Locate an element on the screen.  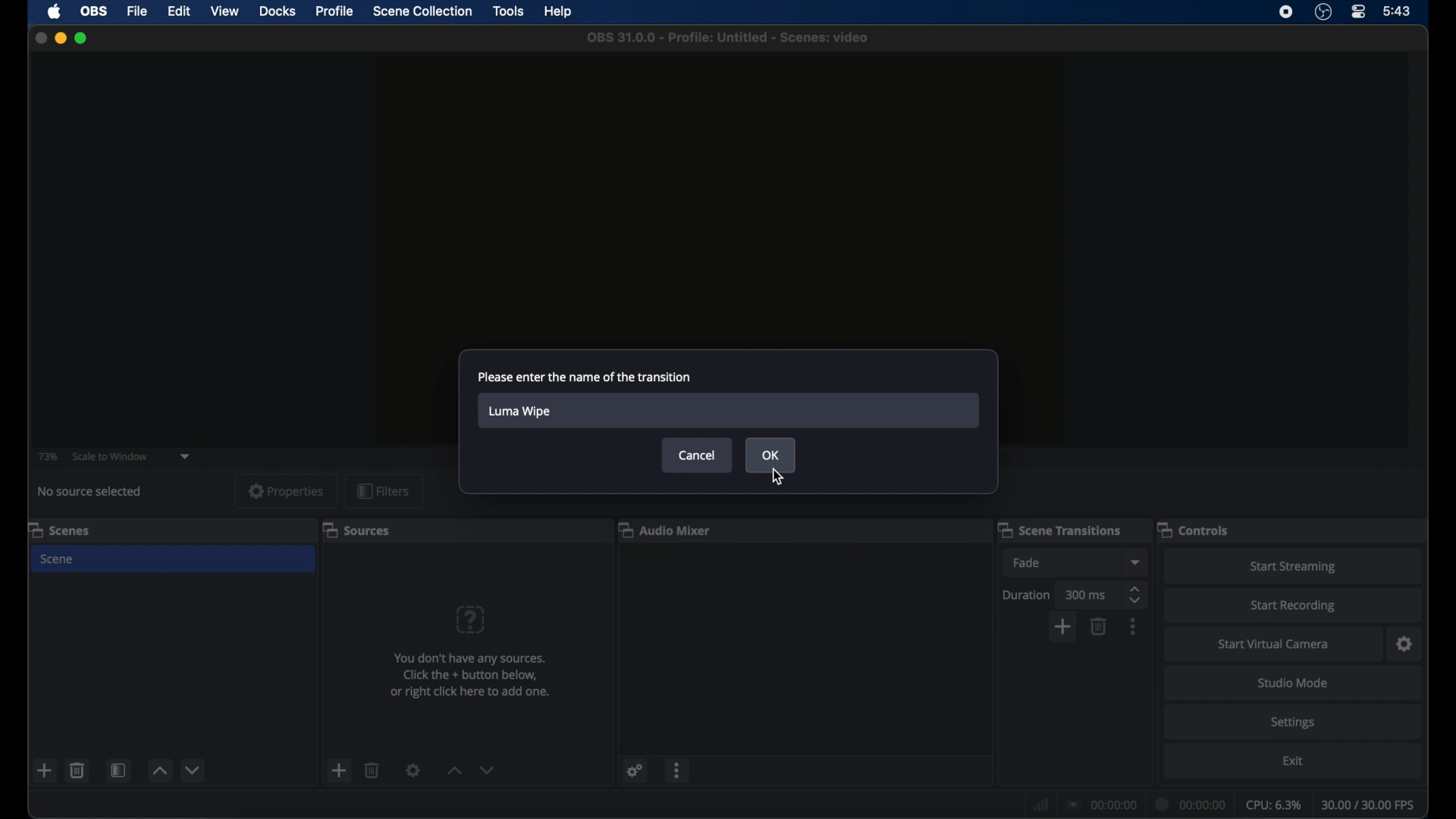
filters is located at coordinates (384, 491).